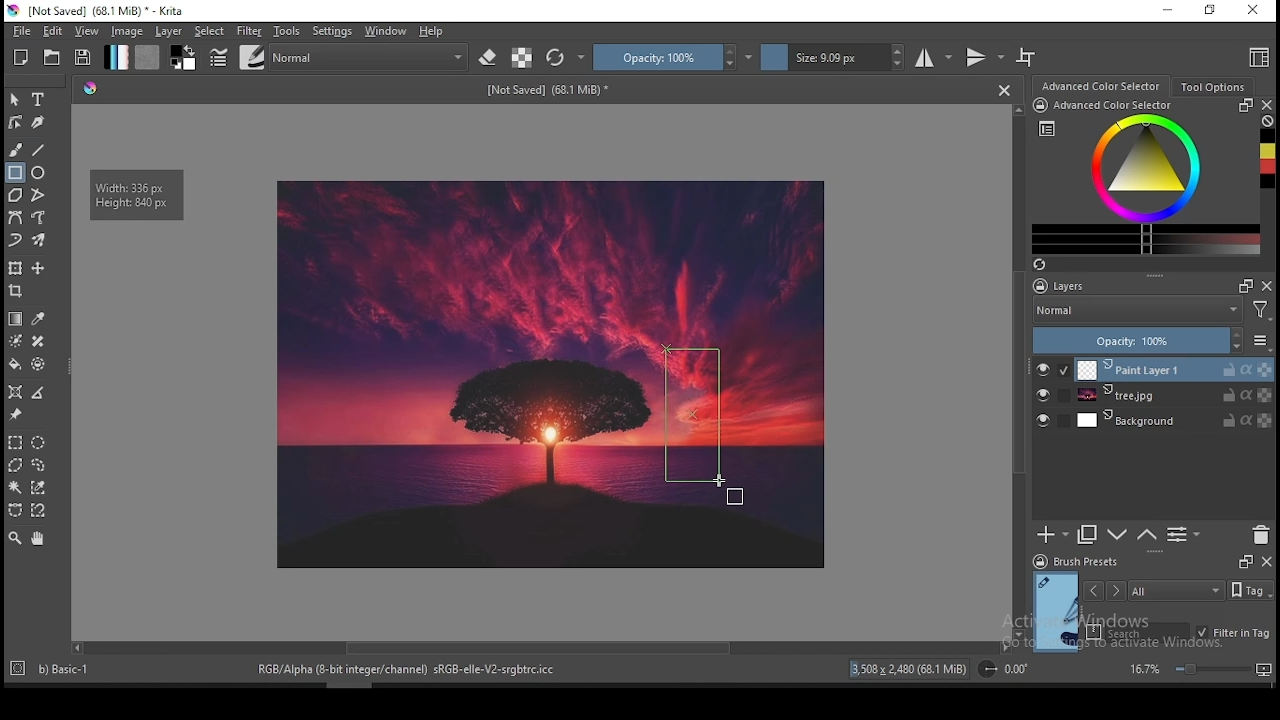  I want to click on restore, so click(1209, 11).